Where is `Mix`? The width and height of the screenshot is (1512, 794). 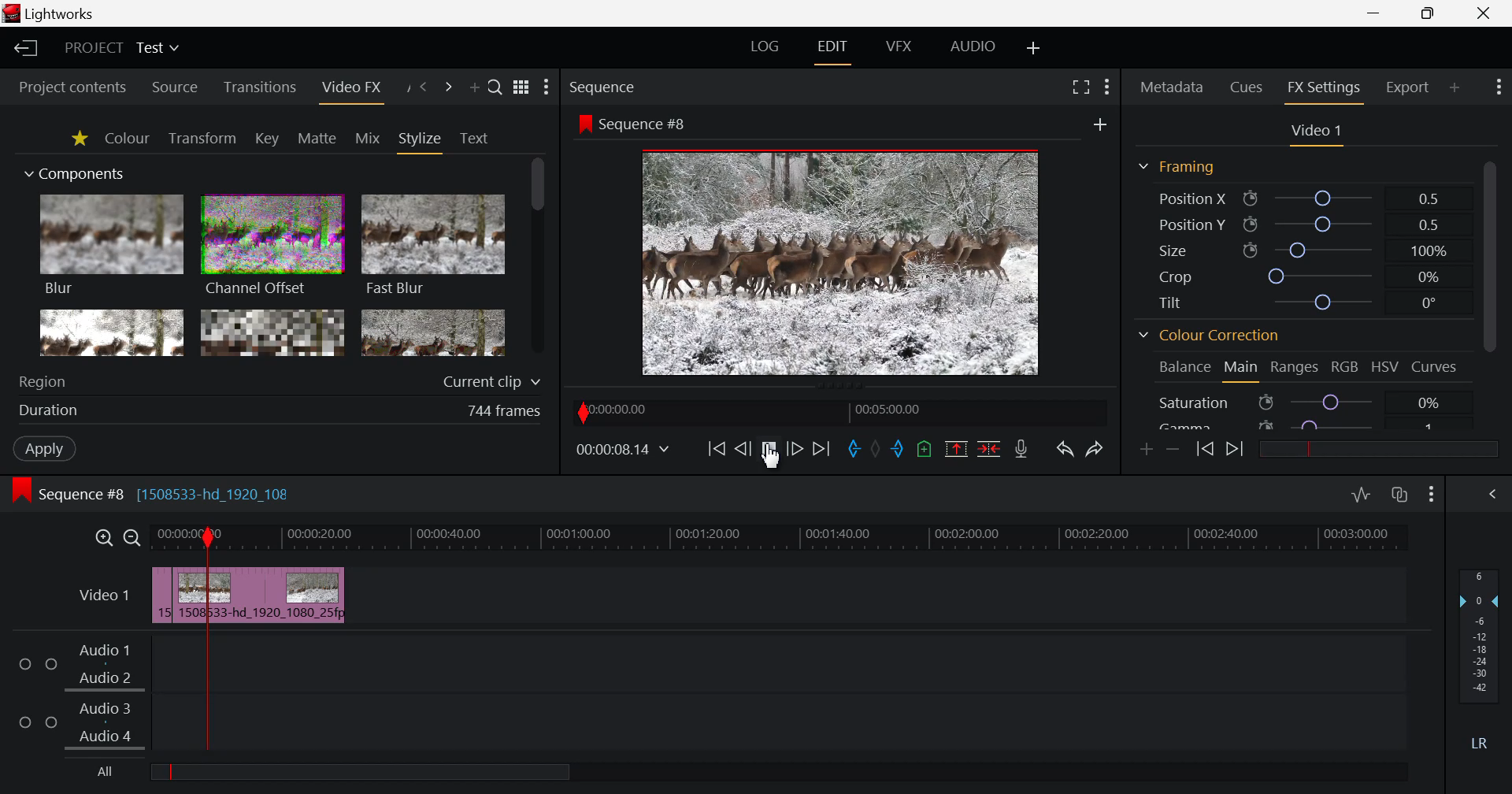 Mix is located at coordinates (368, 138).